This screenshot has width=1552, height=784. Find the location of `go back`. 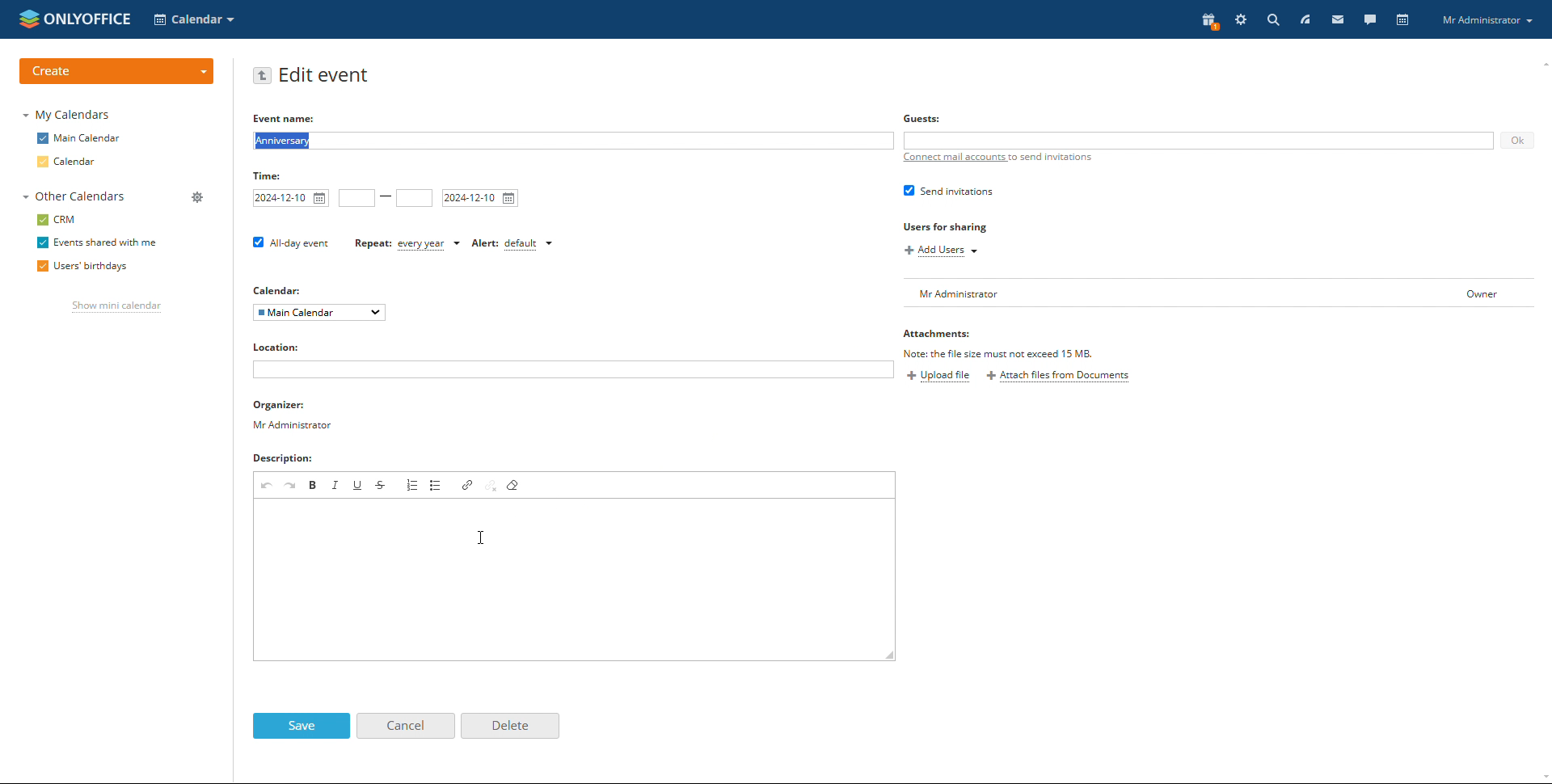

go back is located at coordinates (263, 75).